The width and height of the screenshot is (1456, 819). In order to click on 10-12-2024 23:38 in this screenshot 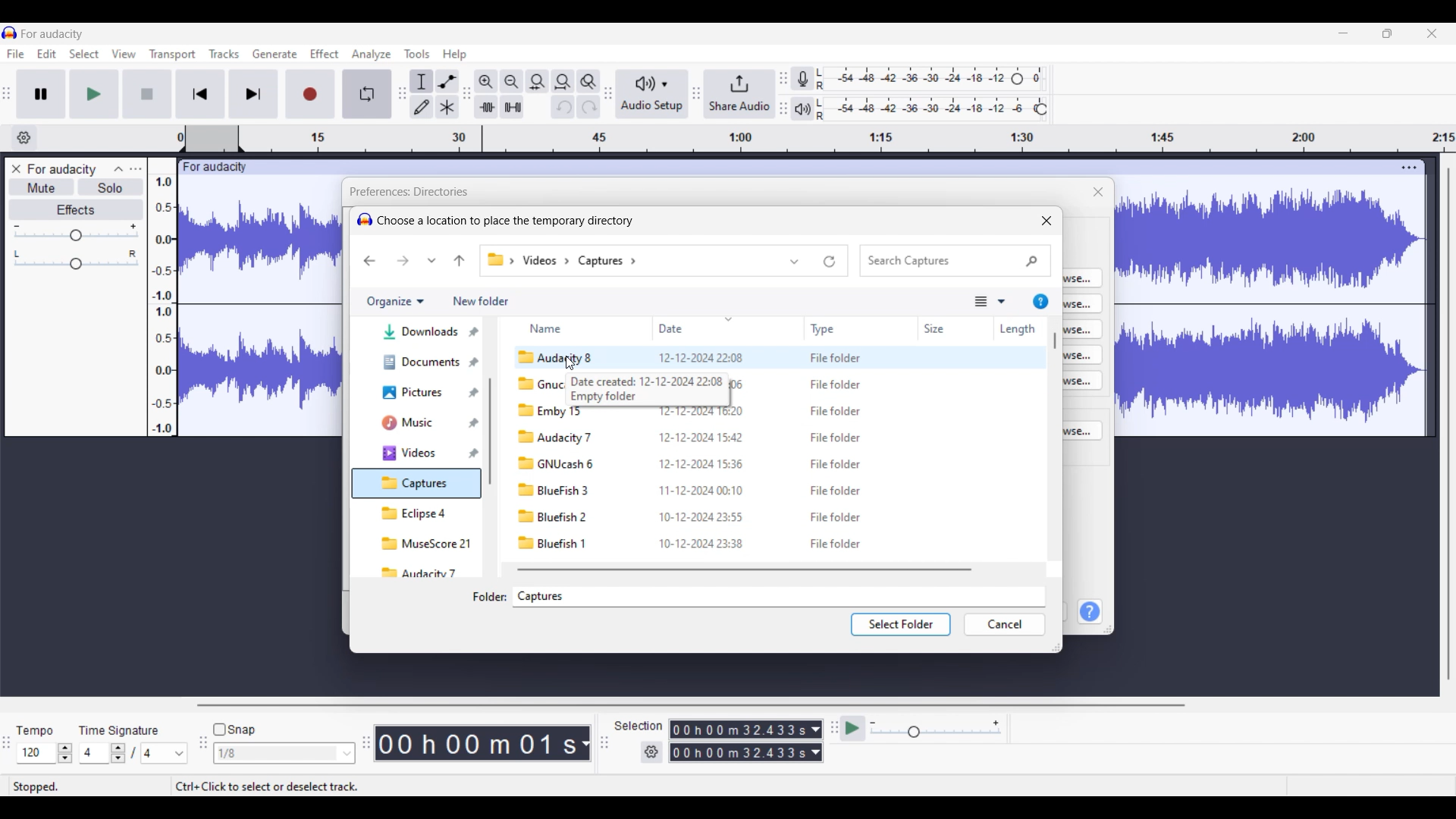, I will do `click(702, 543)`.